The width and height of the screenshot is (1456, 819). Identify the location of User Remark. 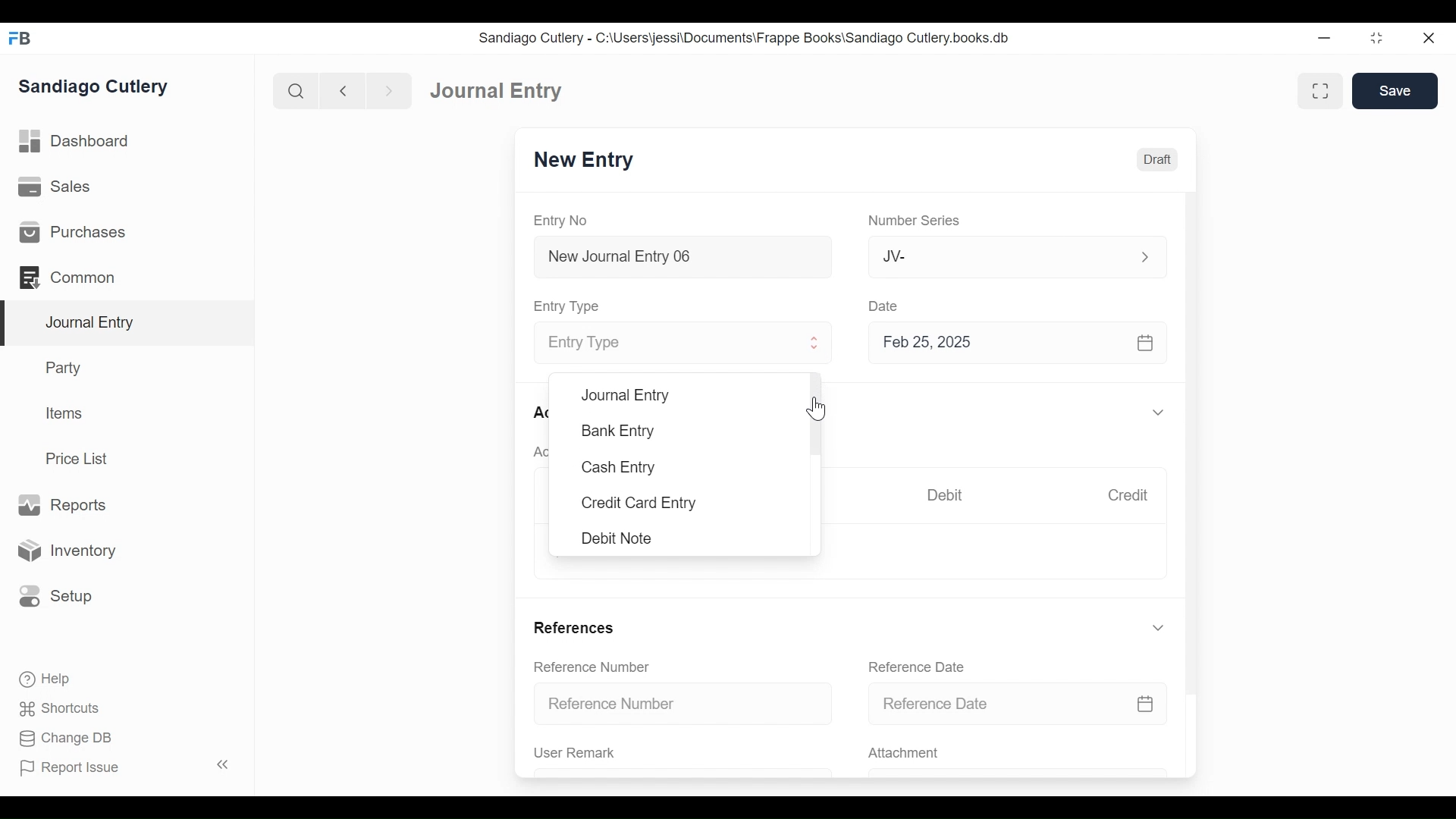
(575, 752).